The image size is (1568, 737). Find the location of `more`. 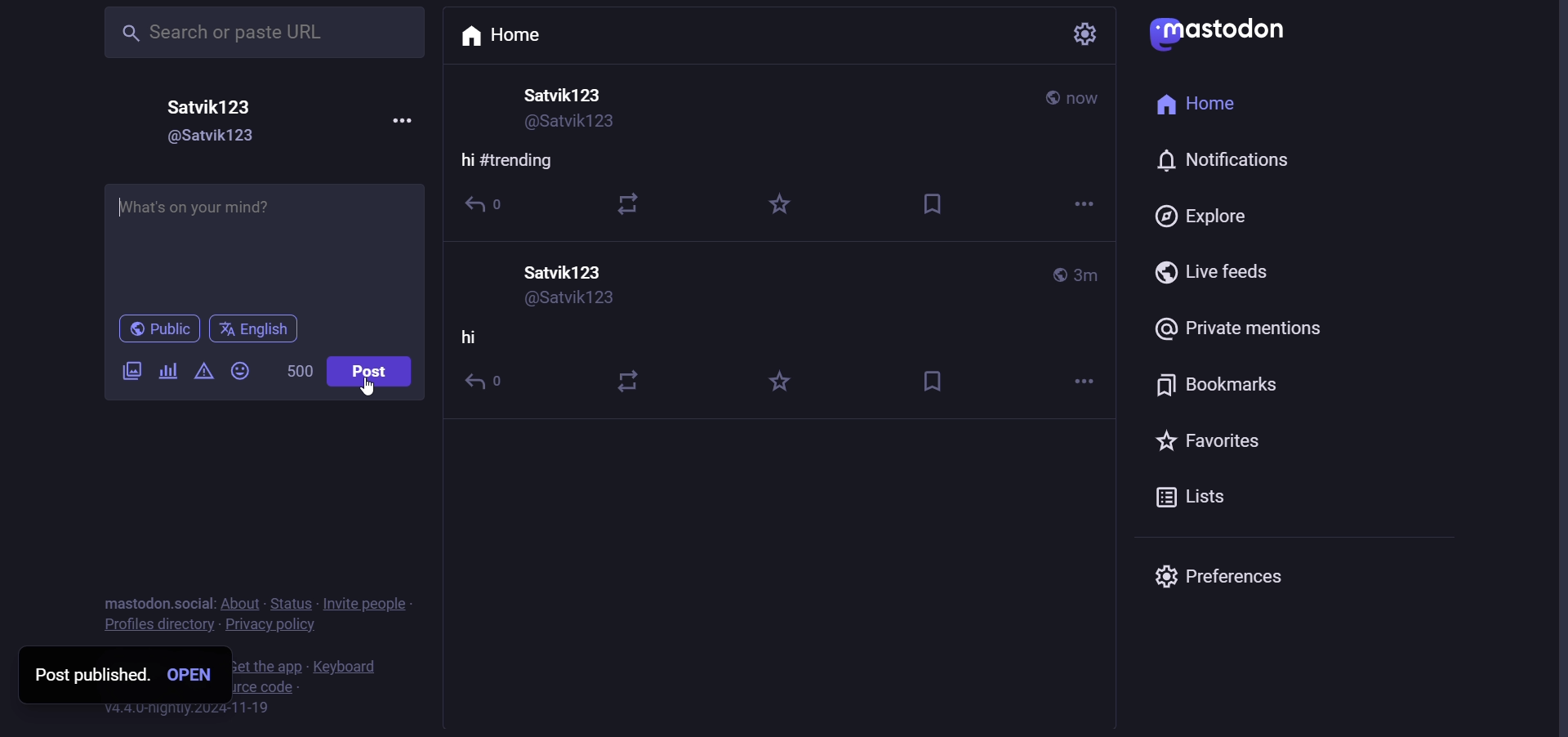

more is located at coordinates (401, 117).